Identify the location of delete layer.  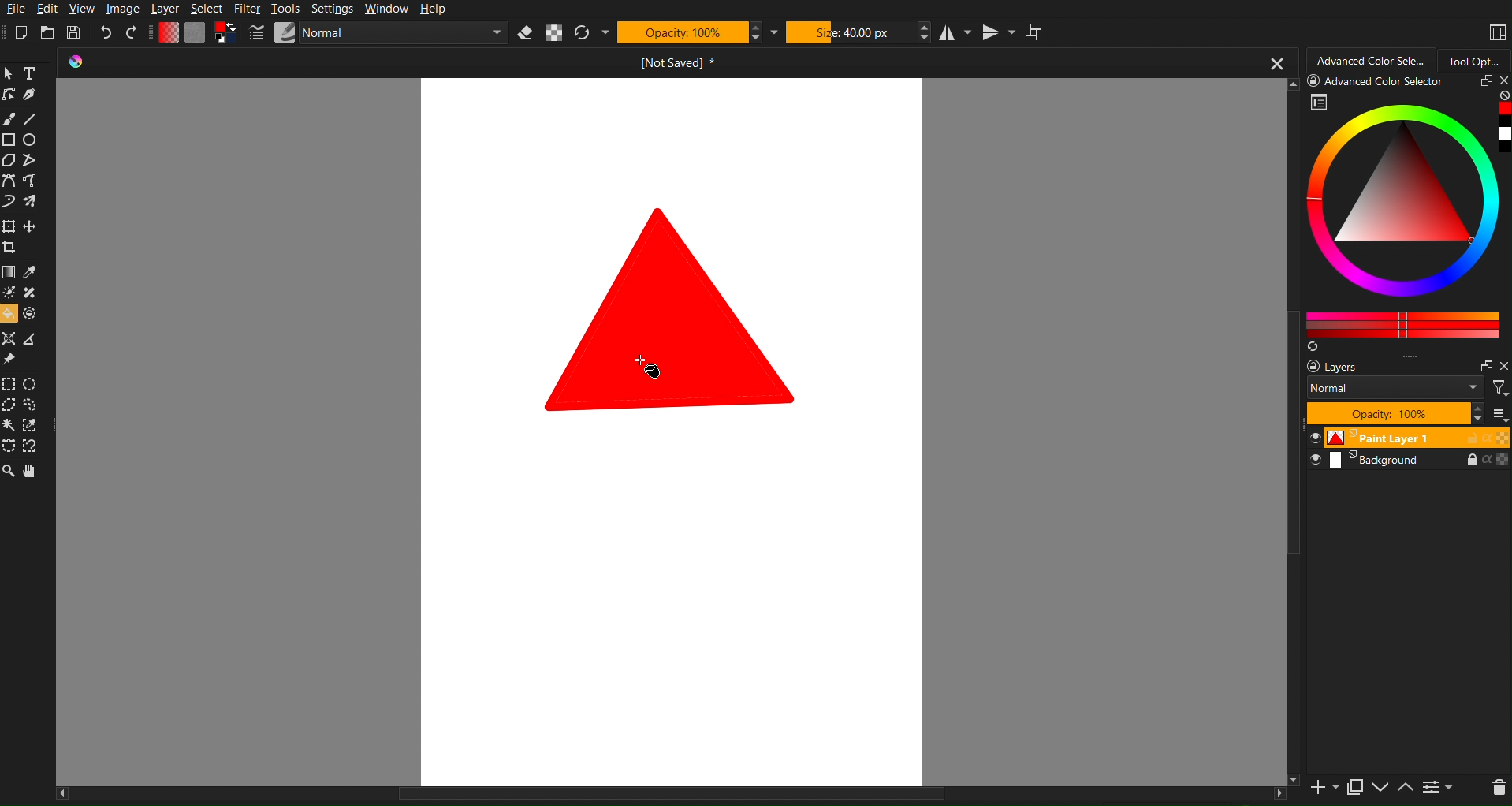
(1498, 788).